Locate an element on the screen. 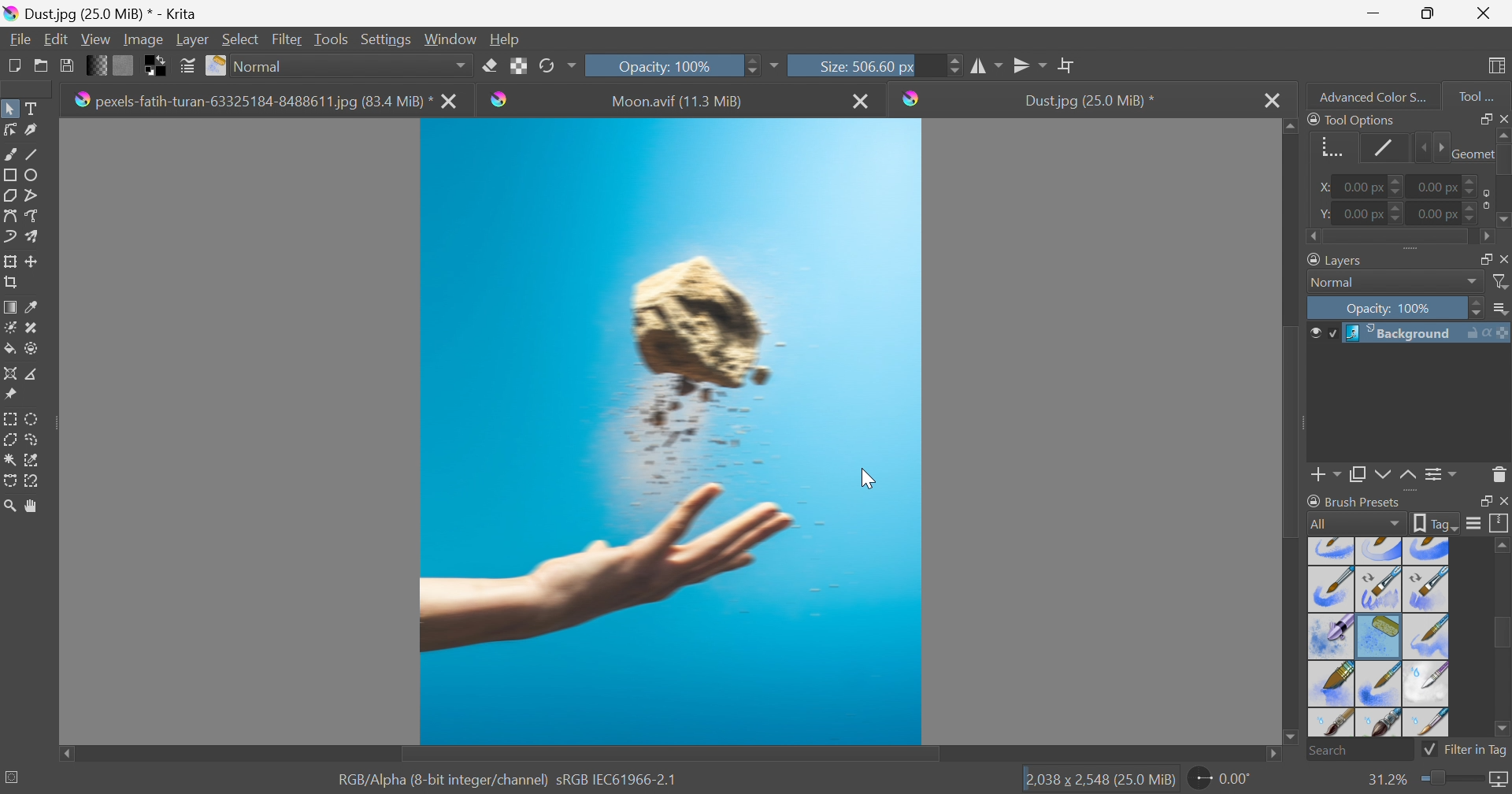 The width and height of the screenshot is (1512, 794). Patch tool is located at coordinates (29, 328).